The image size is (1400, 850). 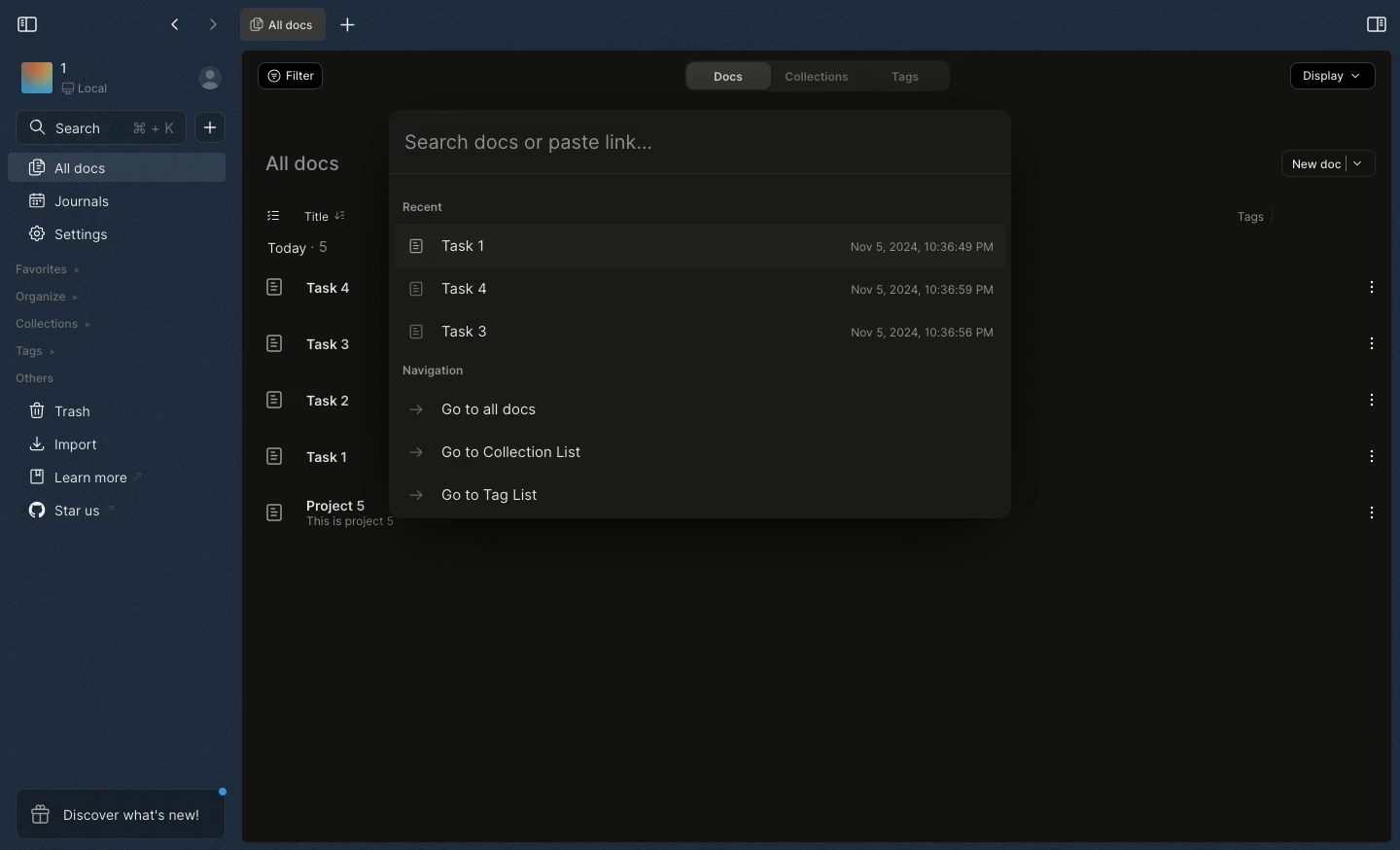 What do you see at coordinates (71, 235) in the screenshot?
I see `Settings` at bounding box center [71, 235].